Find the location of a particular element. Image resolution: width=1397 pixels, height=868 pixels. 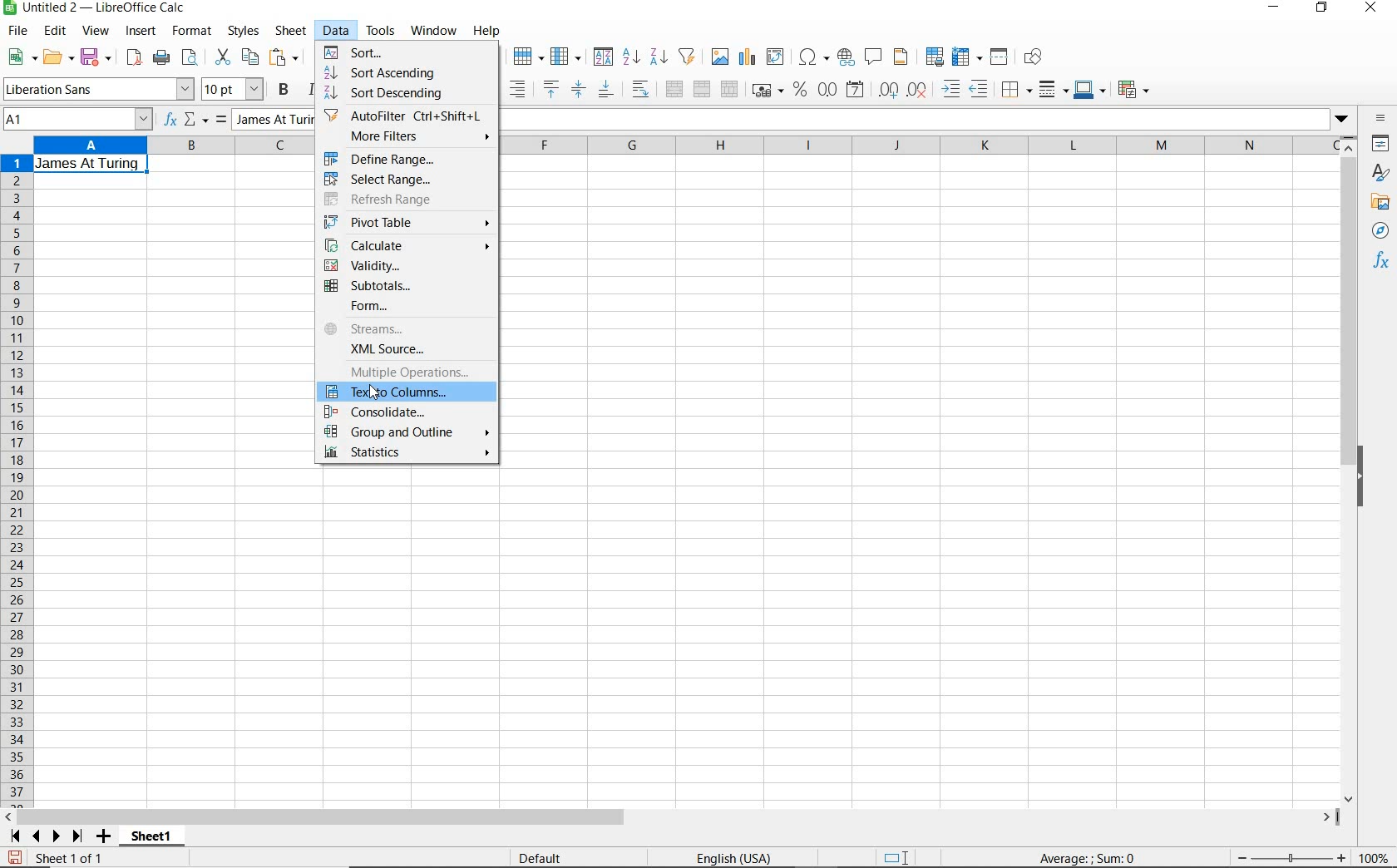

insert is located at coordinates (141, 33).